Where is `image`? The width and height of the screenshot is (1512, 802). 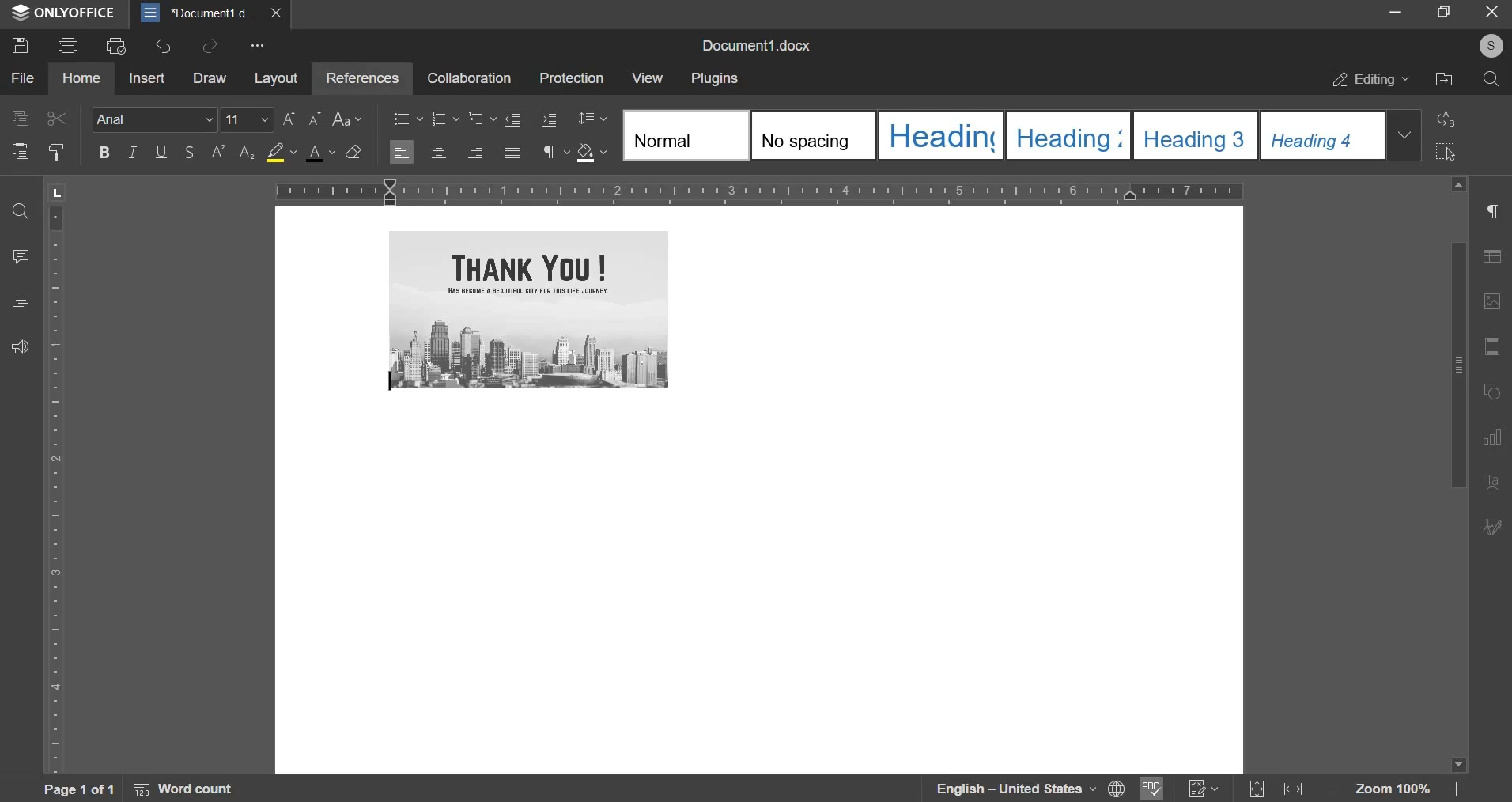
image is located at coordinates (1495, 301).